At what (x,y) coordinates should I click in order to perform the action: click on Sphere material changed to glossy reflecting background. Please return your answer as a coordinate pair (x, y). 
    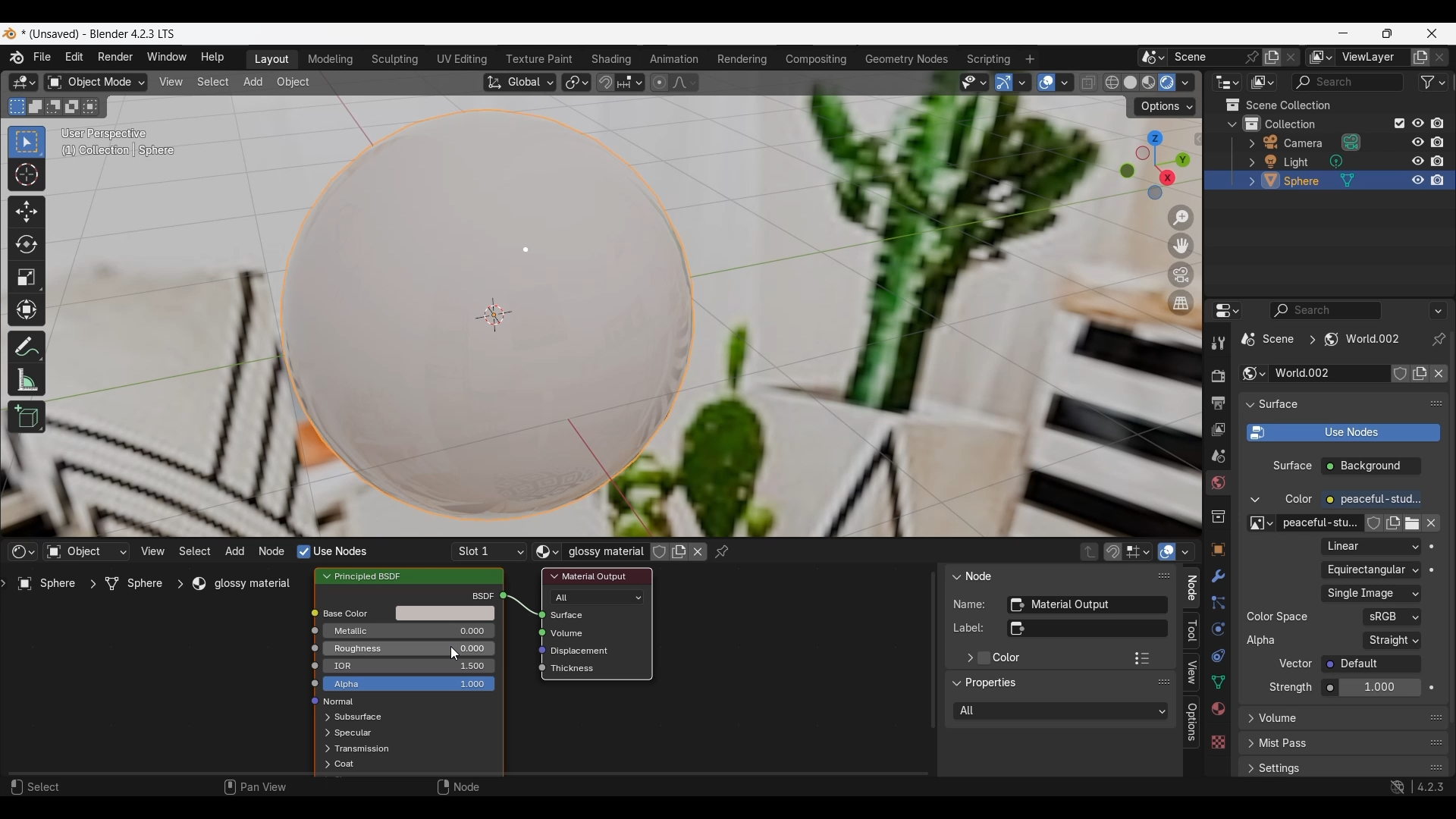
    Looking at the image, I should click on (487, 315).